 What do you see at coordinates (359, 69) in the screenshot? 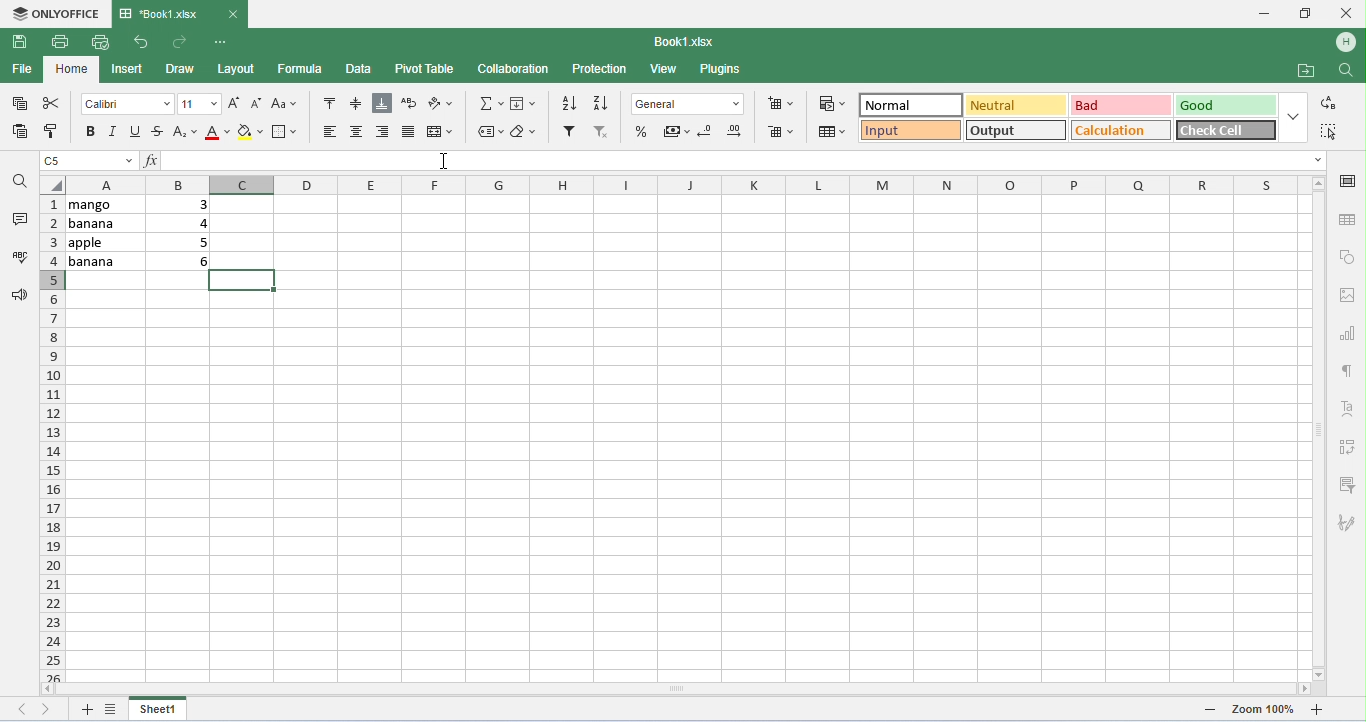
I see `data` at bounding box center [359, 69].